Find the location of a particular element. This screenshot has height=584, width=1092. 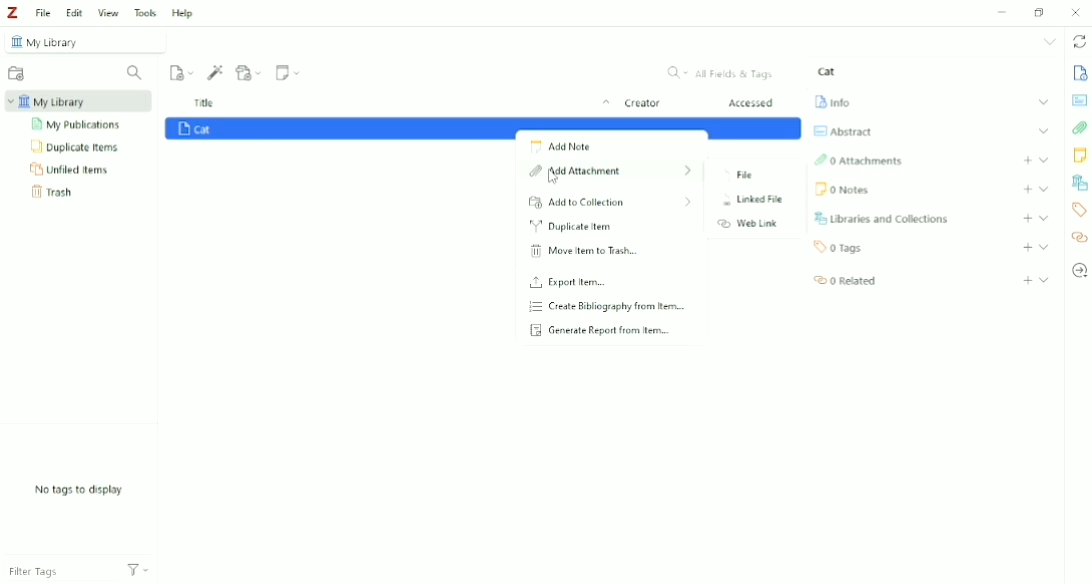

Info is located at coordinates (1079, 72).